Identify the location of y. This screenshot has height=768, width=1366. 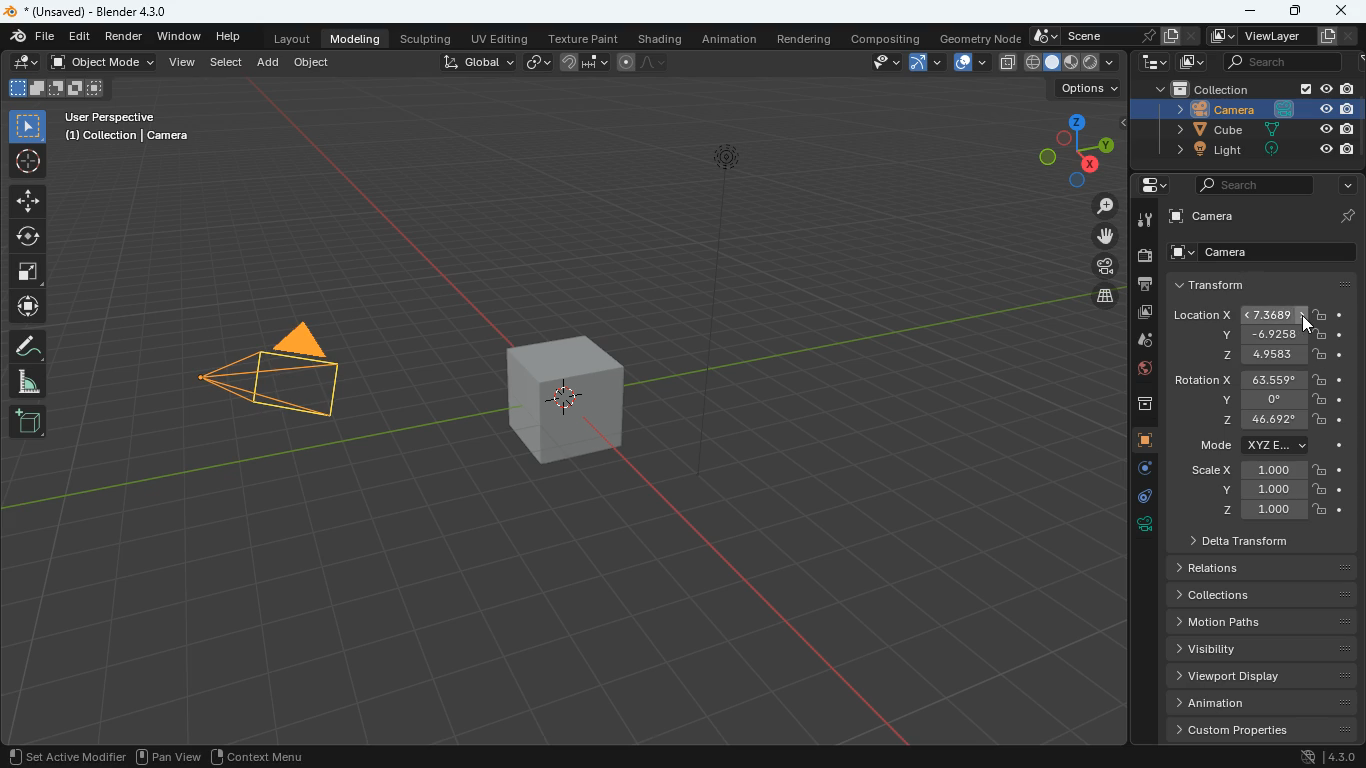
(1267, 401).